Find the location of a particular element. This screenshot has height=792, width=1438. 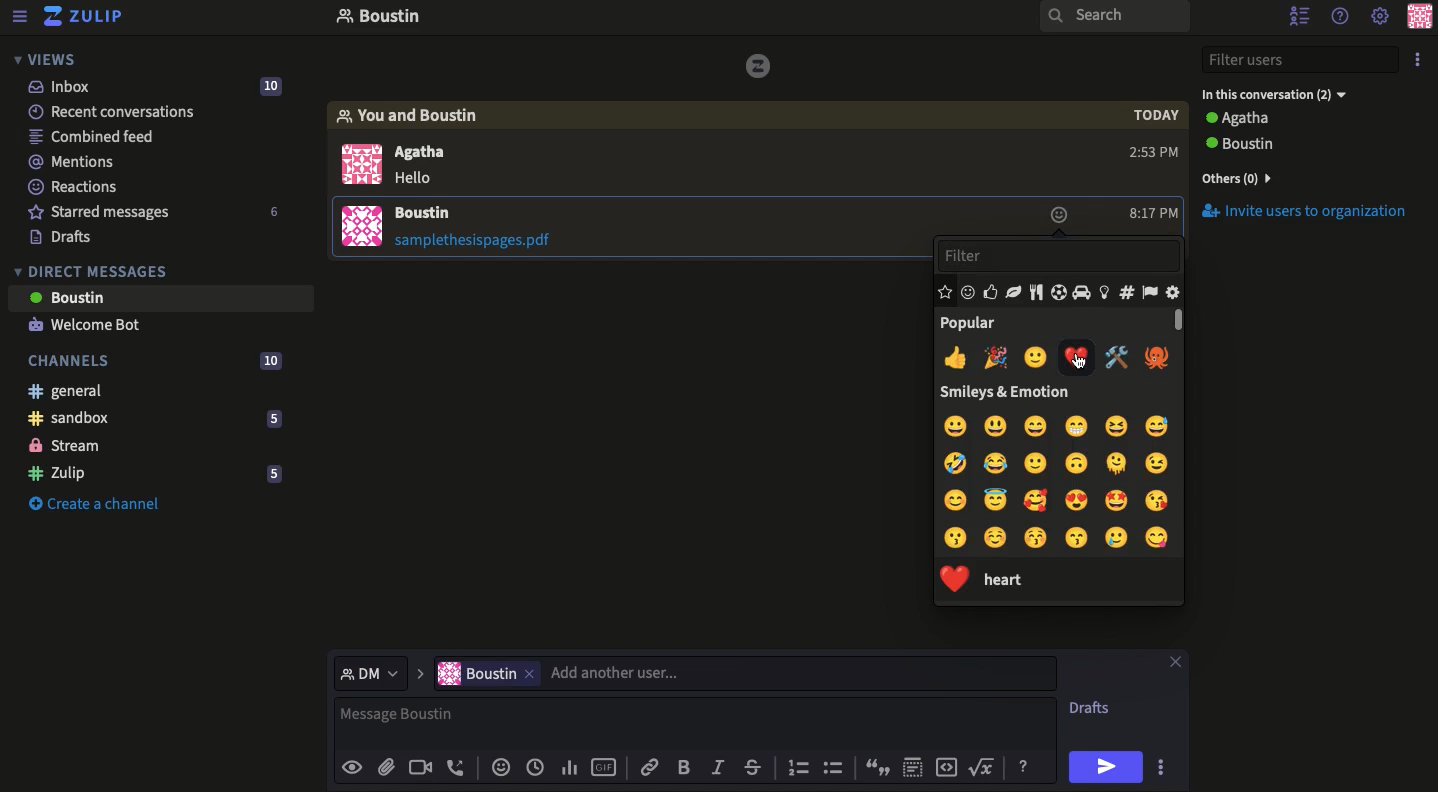

Reactions is located at coordinates (75, 189).